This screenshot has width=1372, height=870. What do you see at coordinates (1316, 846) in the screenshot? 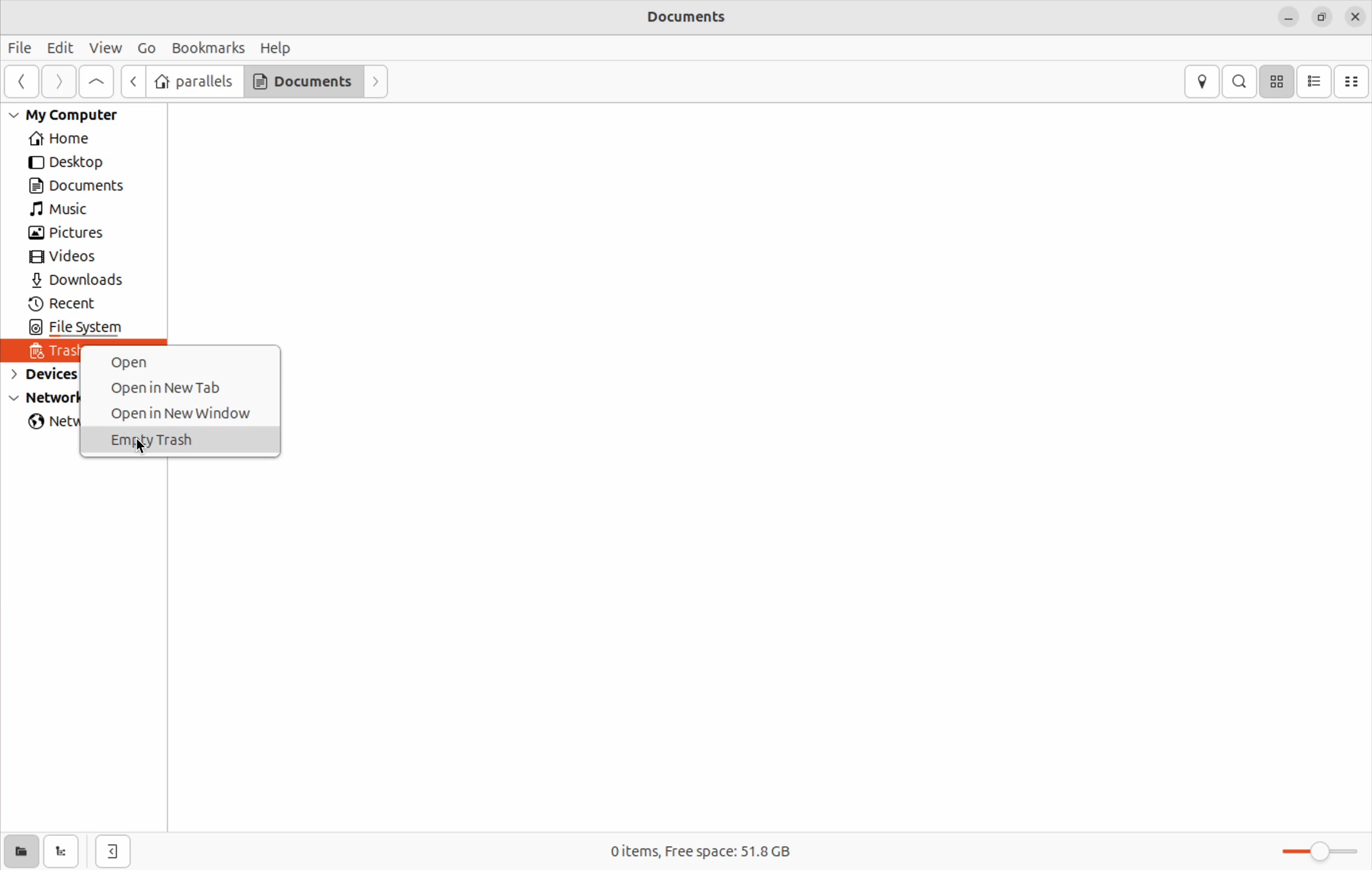
I see `toggle zoom` at bounding box center [1316, 846].